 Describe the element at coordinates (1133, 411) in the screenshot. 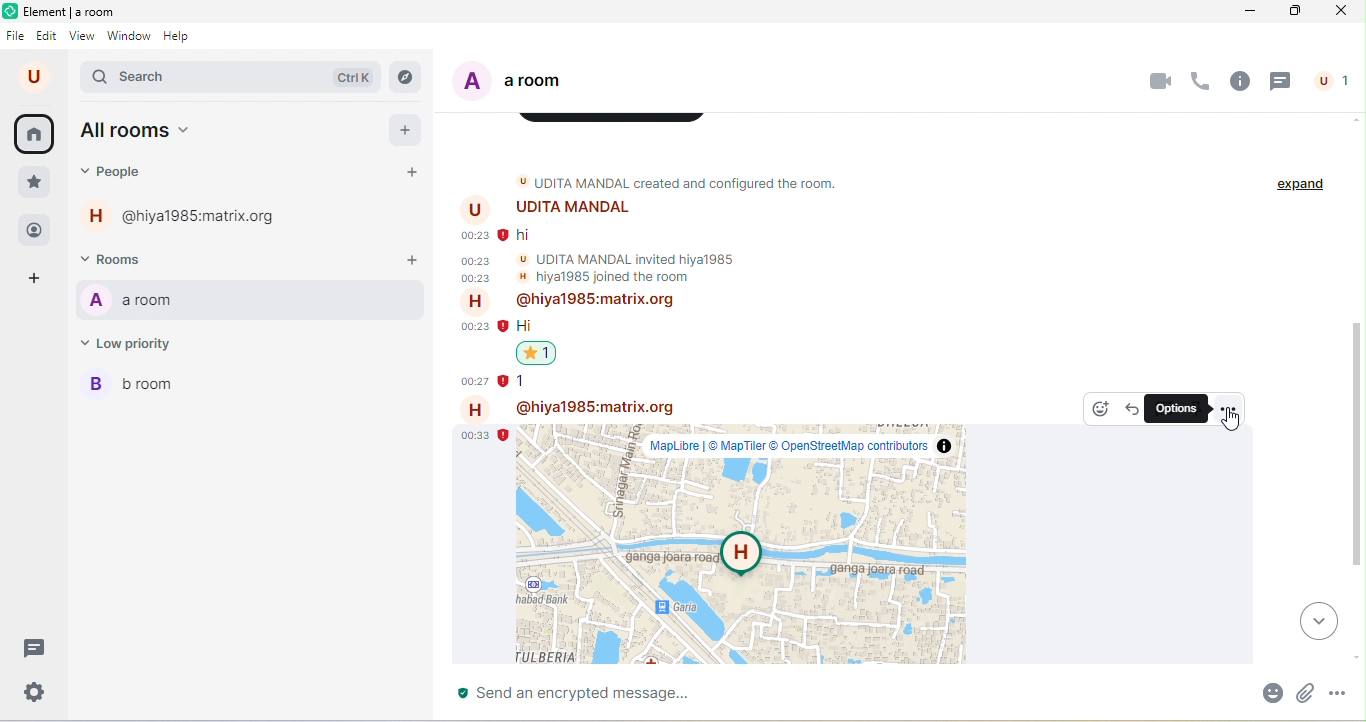

I see `reply` at that location.